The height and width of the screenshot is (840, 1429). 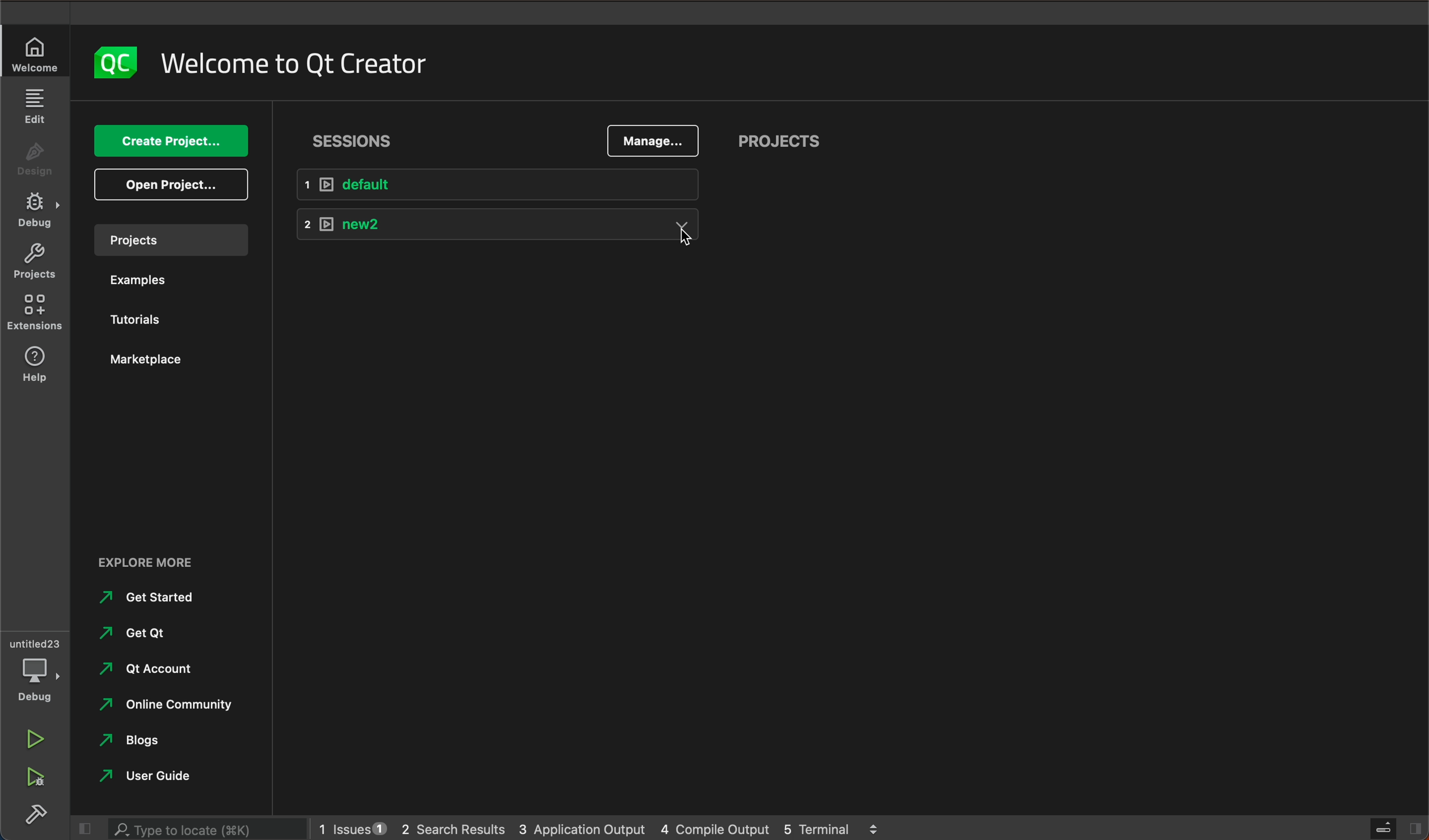 I want to click on sessions, so click(x=353, y=142).